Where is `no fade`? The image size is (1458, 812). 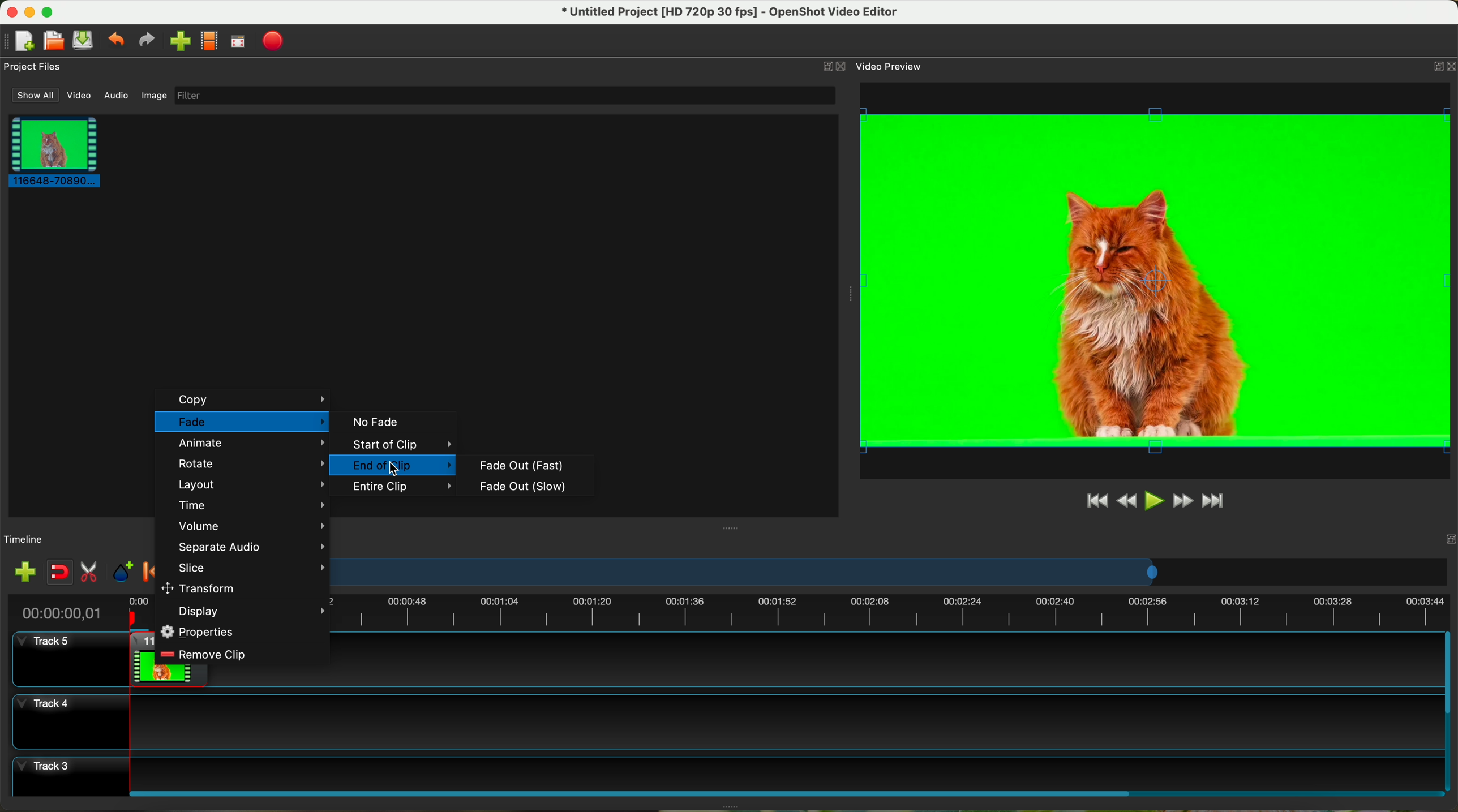
no fade is located at coordinates (374, 422).